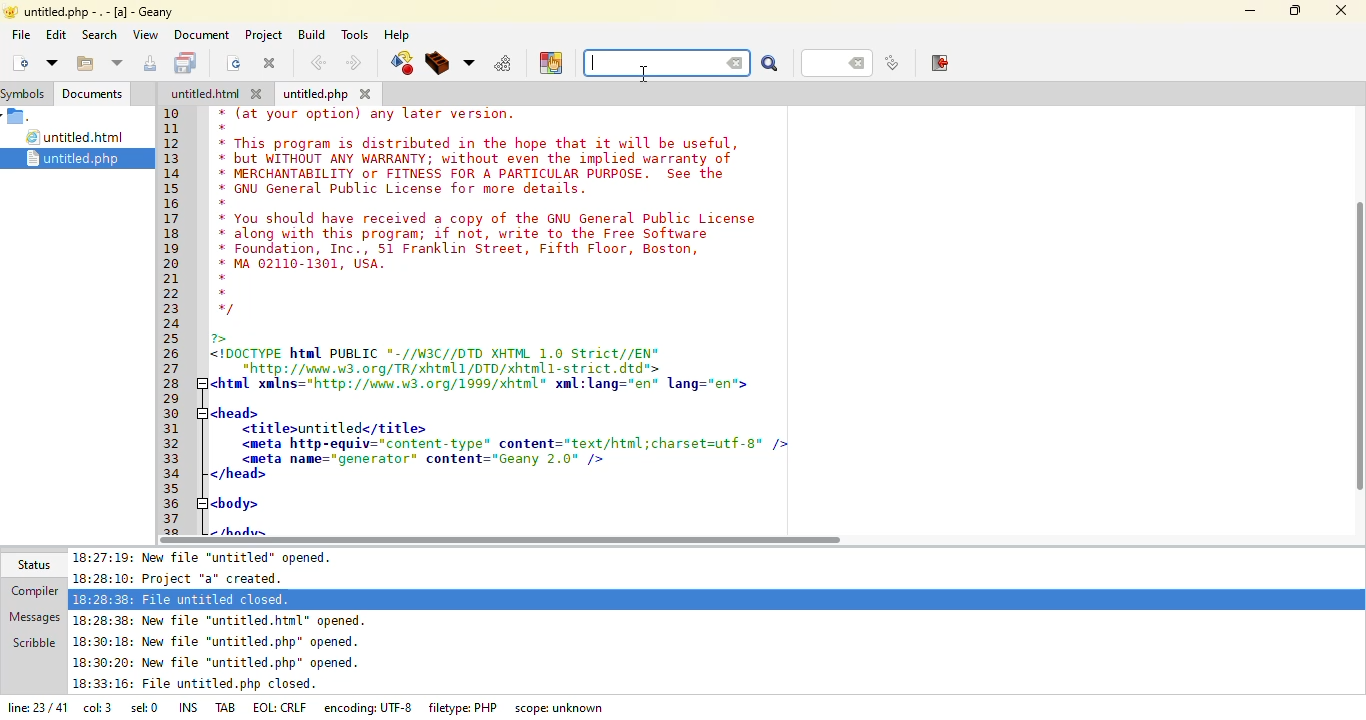  What do you see at coordinates (191, 706) in the screenshot?
I see `ins` at bounding box center [191, 706].